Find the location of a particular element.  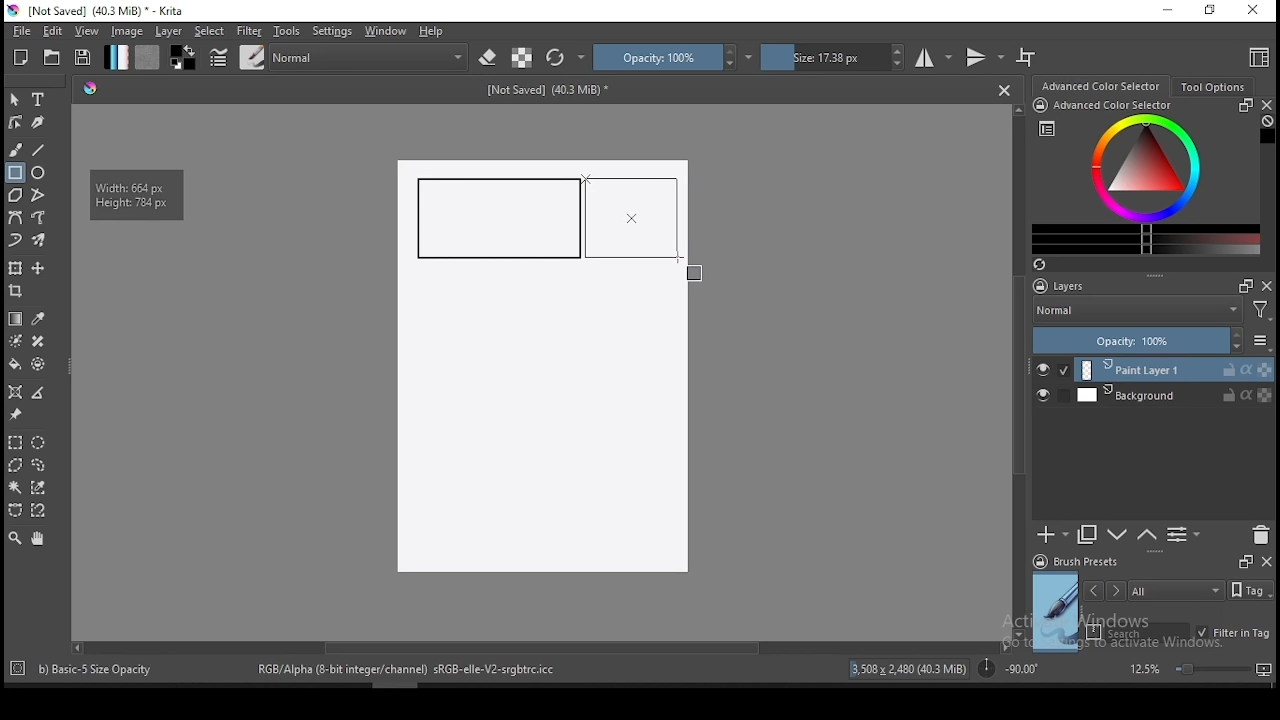

duplicate layer is located at coordinates (1088, 534).